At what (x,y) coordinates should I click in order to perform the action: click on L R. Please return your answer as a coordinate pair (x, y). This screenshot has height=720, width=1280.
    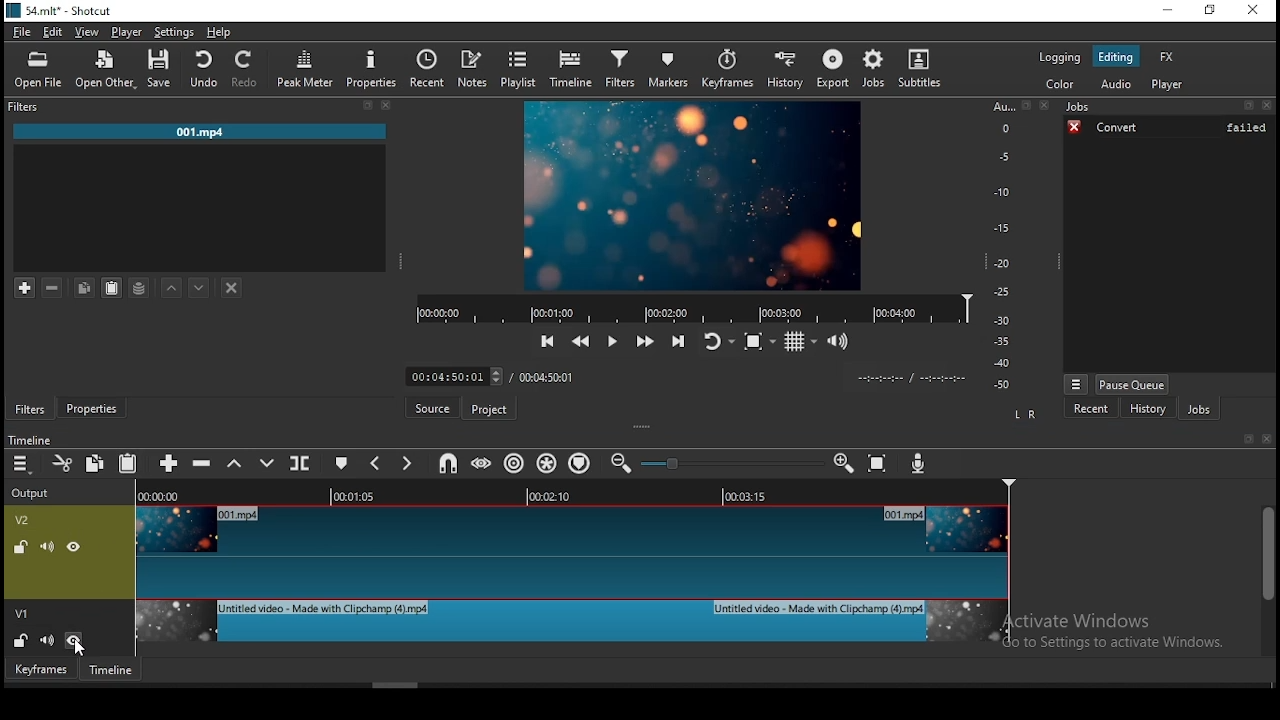
    Looking at the image, I should click on (1024, 415).